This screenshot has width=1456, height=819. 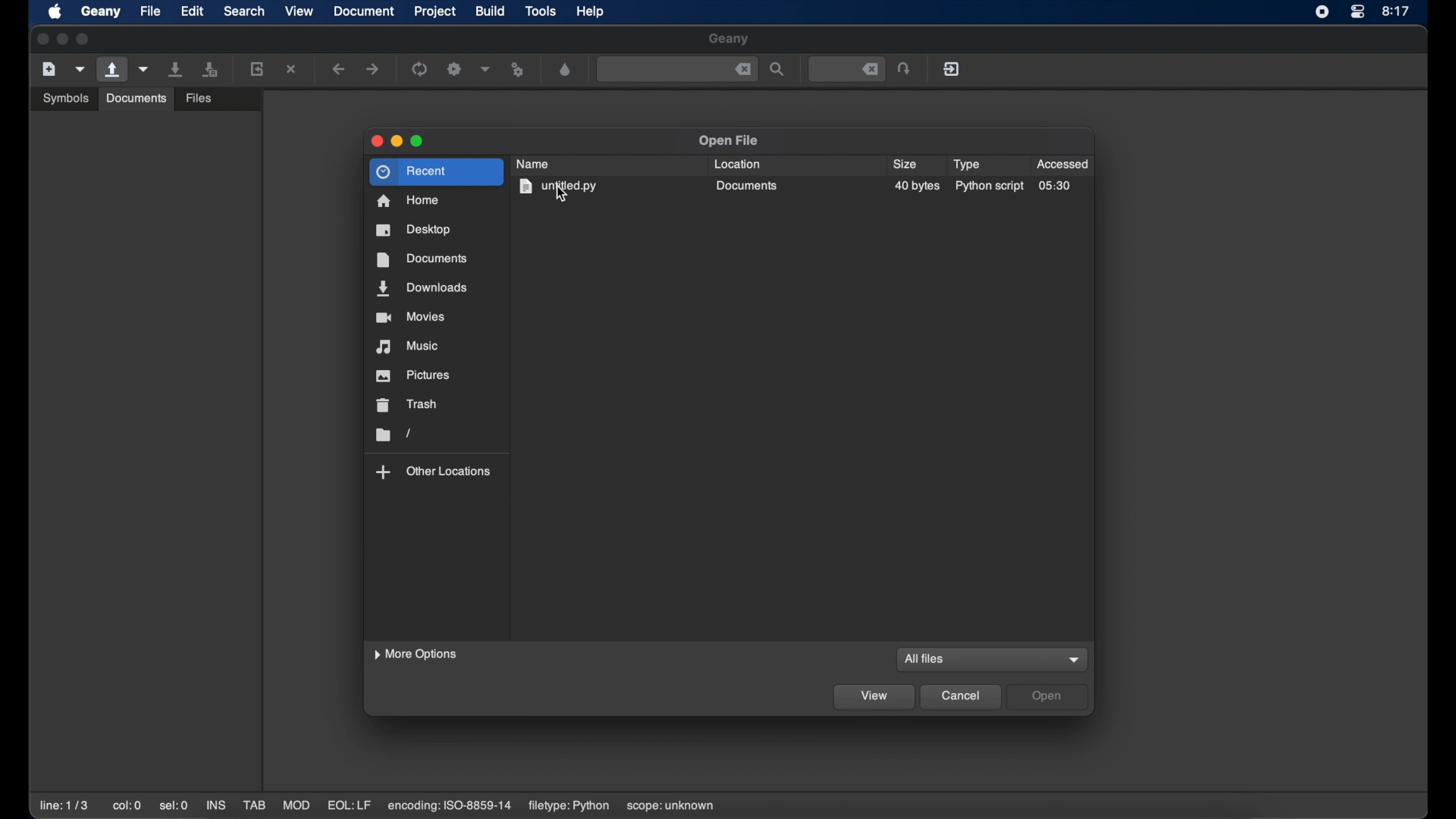 What do you see at coordinates (413, 230) in the screenshot?
I see `desktop` at bounding box center [413, 230].